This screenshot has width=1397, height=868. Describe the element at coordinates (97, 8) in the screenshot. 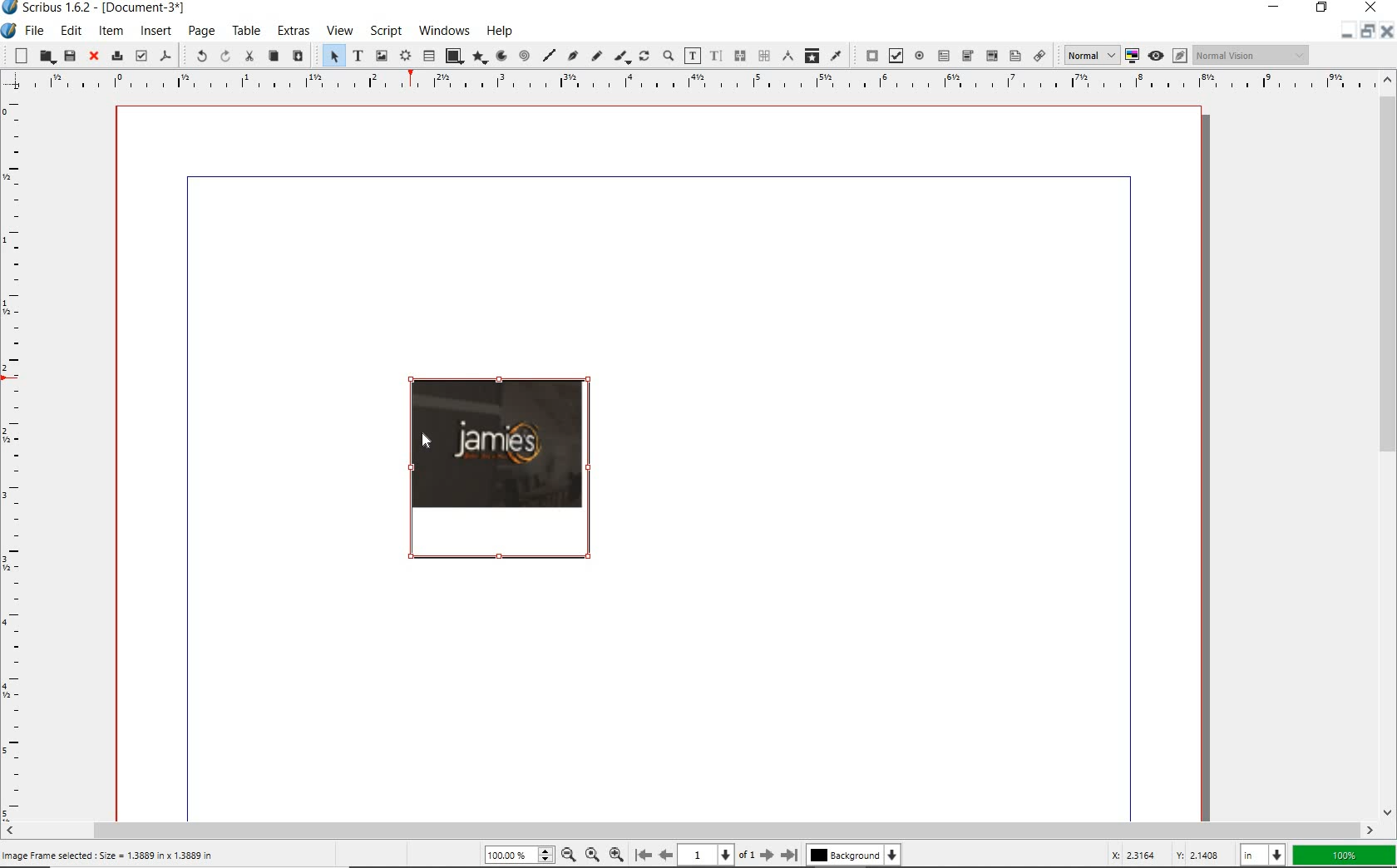

I see `Scribus 1.6.2` at that location.